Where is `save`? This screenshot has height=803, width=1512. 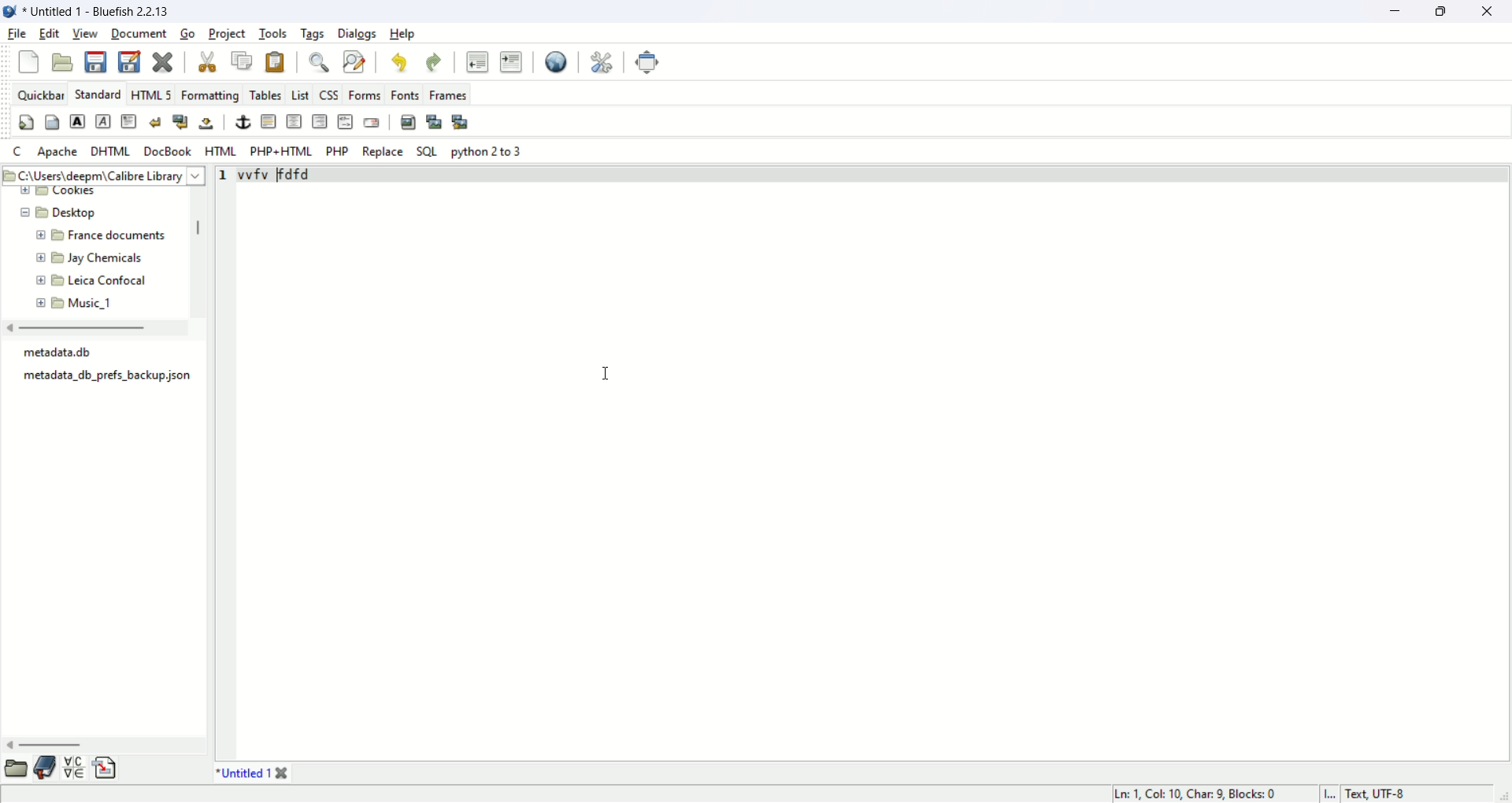 save is located at coordinates (96, 63).